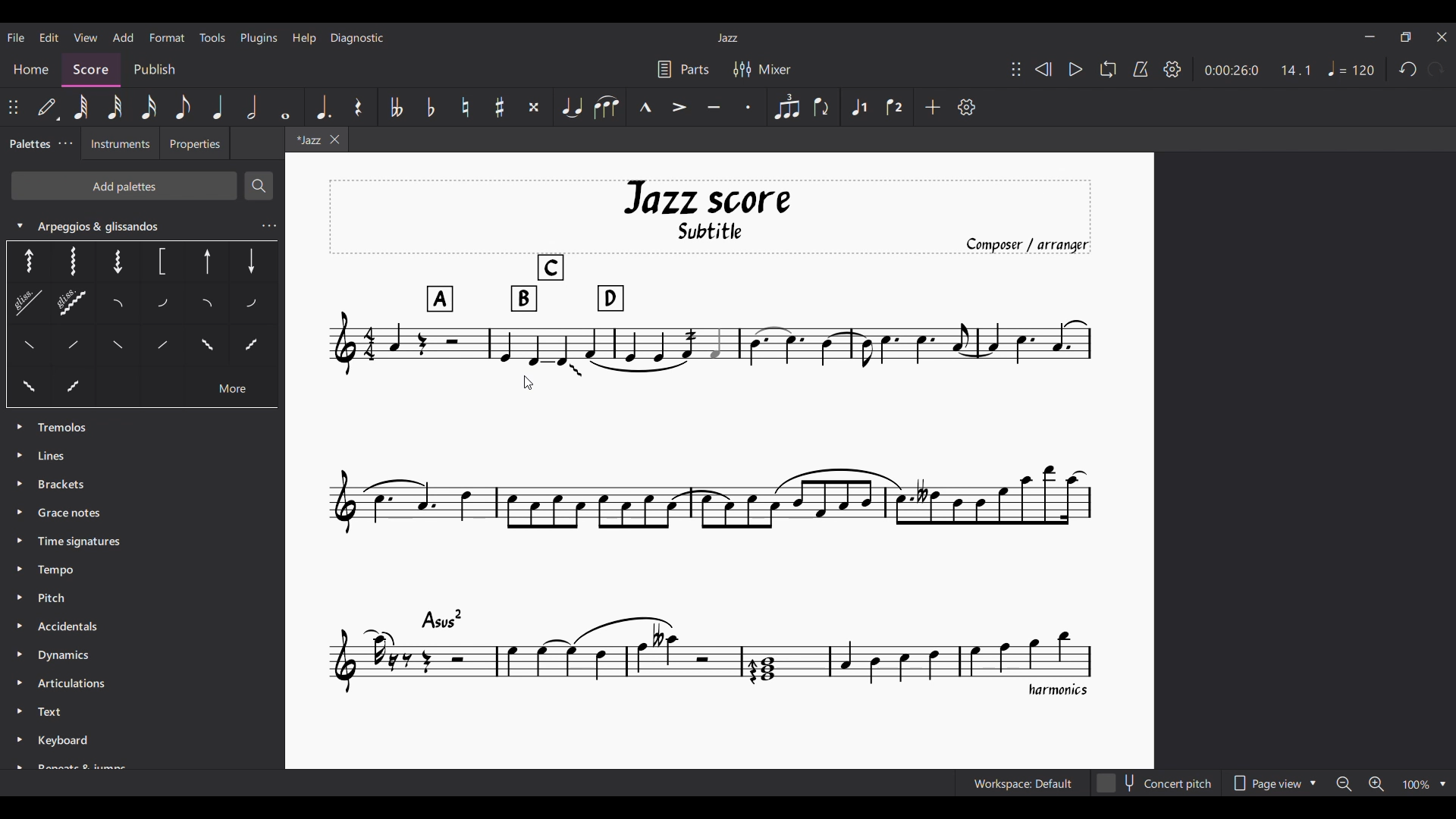  I want to click on 8th note, so click(184, 107).